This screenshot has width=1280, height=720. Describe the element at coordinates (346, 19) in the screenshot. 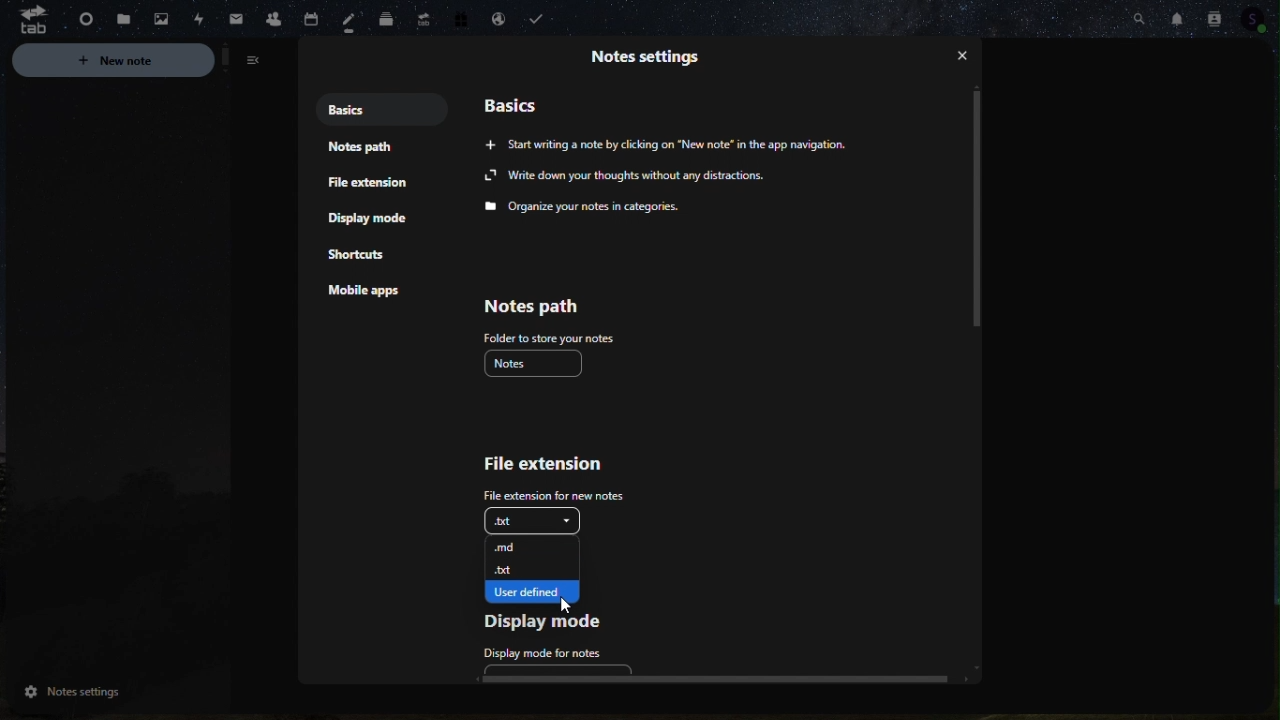

I see `Notes` at that location.